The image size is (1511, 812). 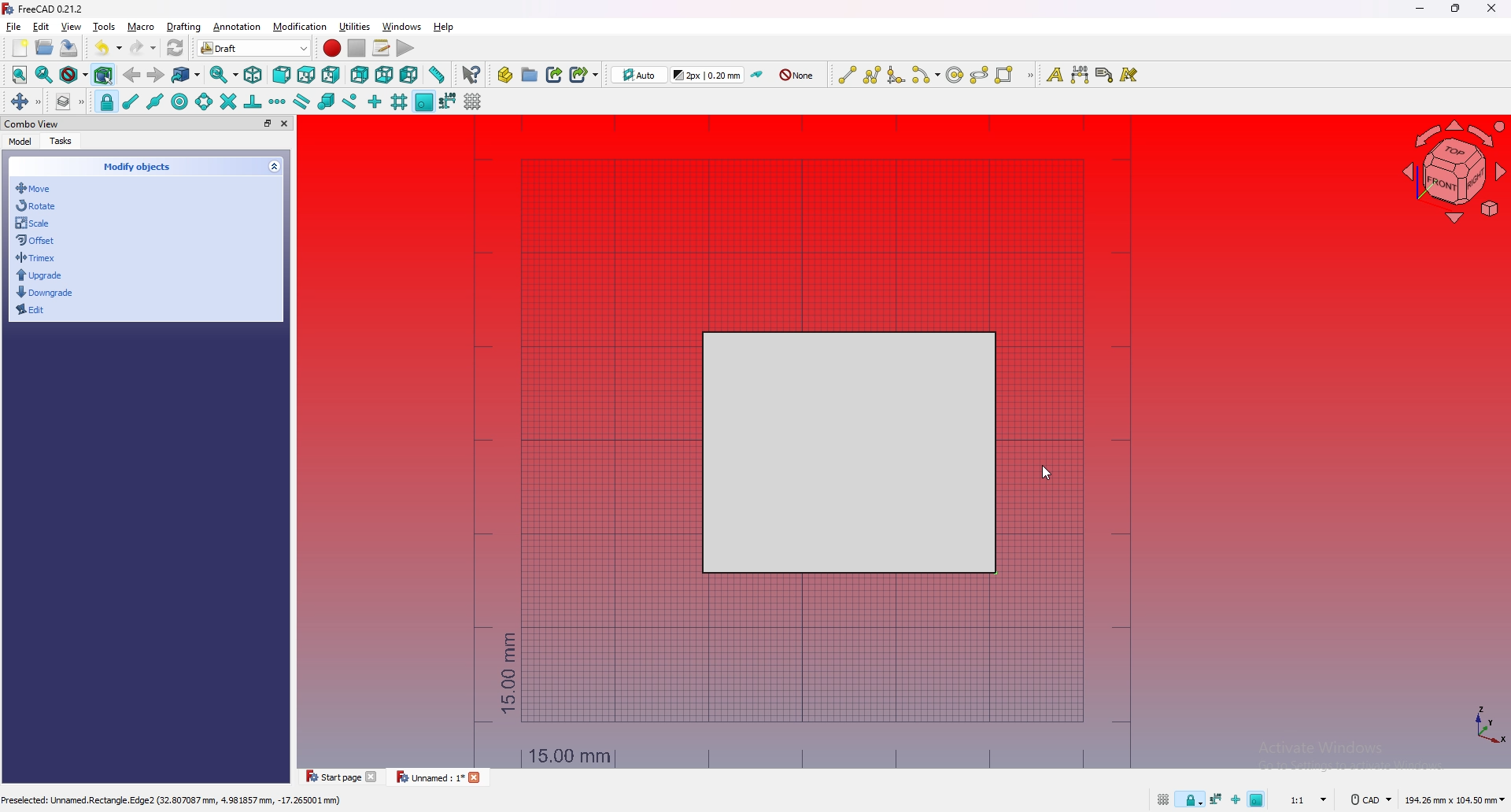 What do you see at coordinates (156, 75) in the screenshot?
I see `forward` at bounding box center [156, 75].